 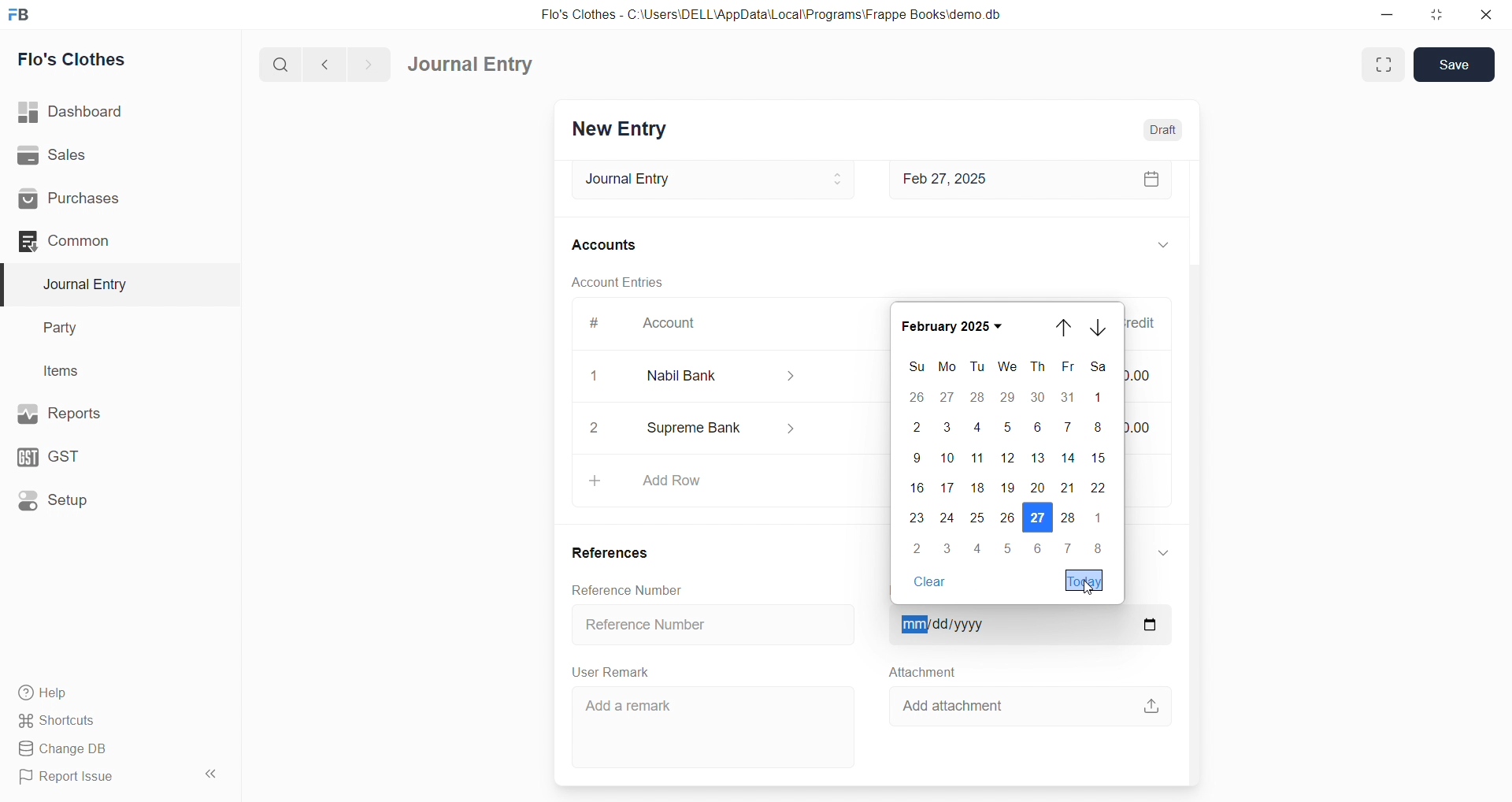 What do you see at coordinates (1036, 518) in the screenshot?
I see `27` at bounding box center [1036, 518].